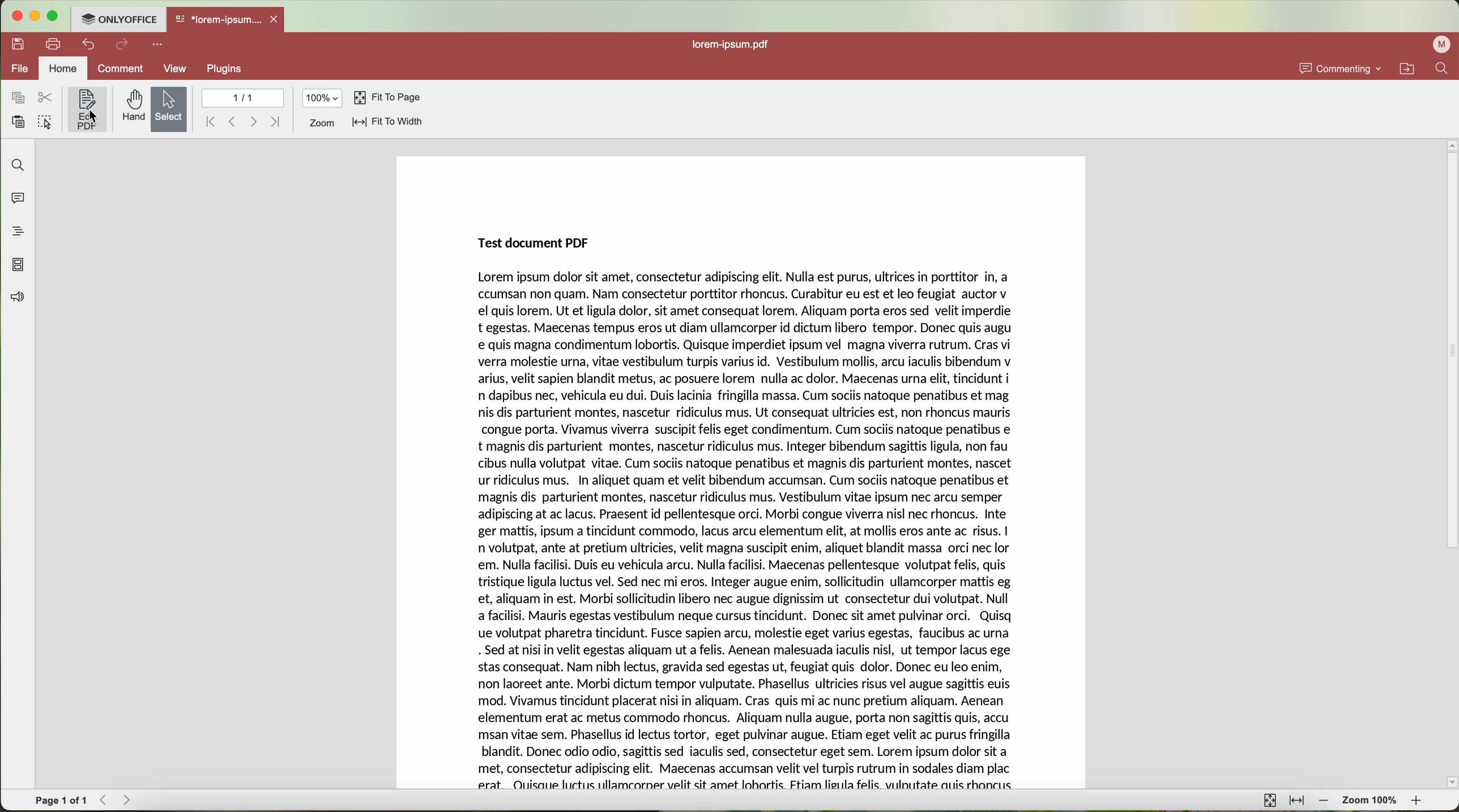  Describe the element at coordinates (225, 69) in the screenshot. I see `plugins` at that location.